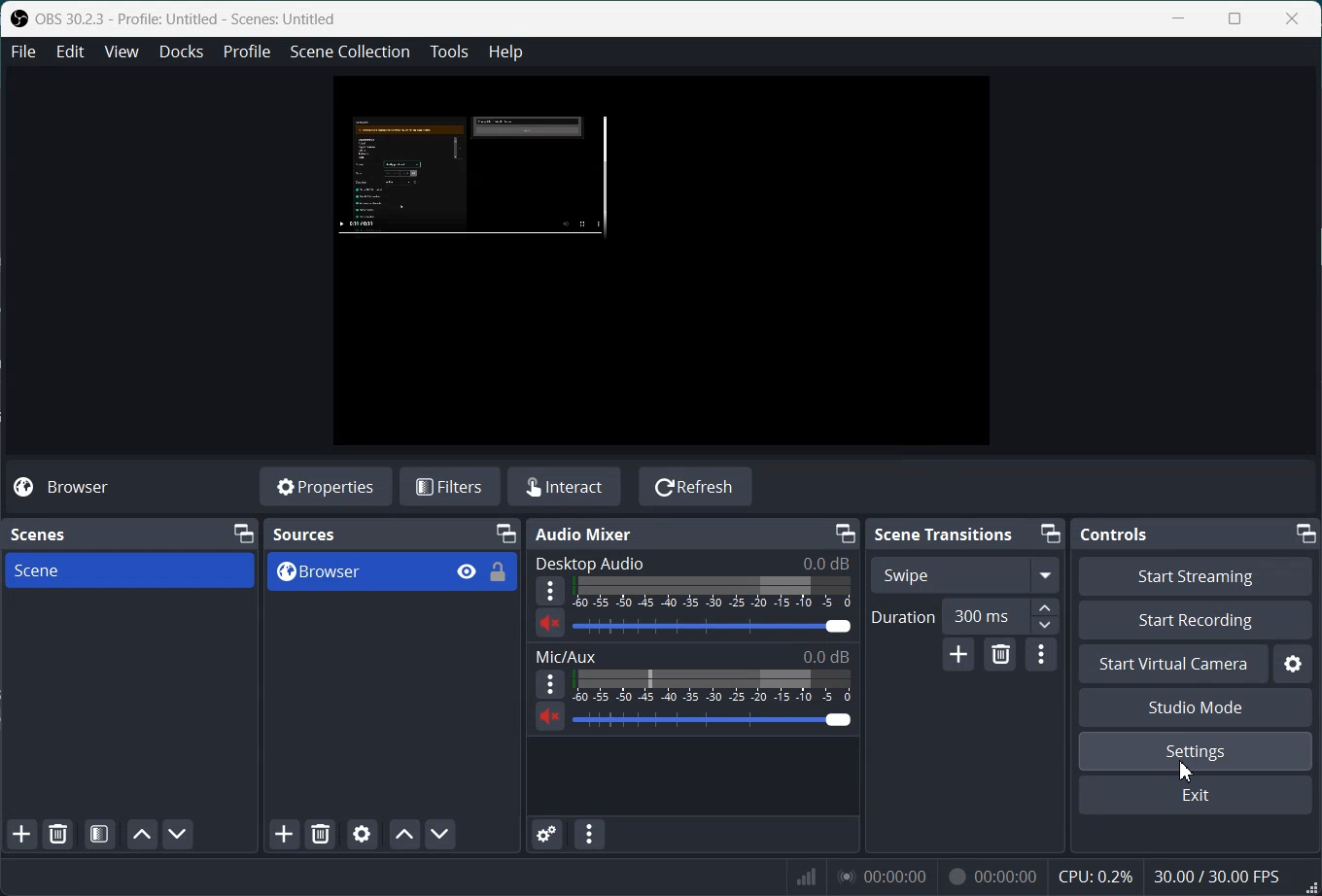 This screenshot has width=1322, height=896. I want to click on File, so click(22, 52).